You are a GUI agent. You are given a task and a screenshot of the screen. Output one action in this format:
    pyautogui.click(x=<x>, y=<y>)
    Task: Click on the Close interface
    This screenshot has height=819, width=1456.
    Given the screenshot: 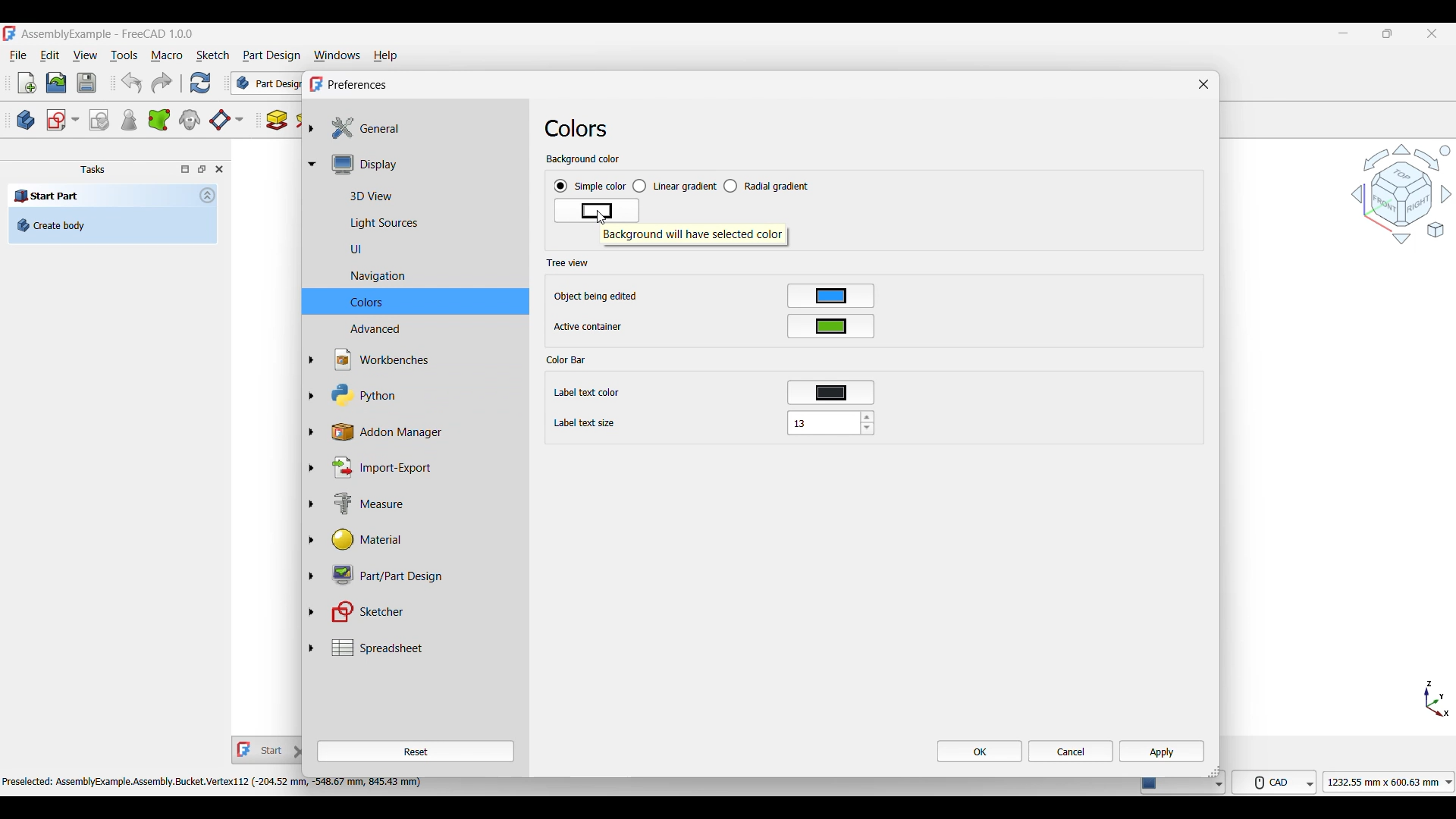 What is the action you would take?
    pyautogui.click(x=1432, y=34)
    